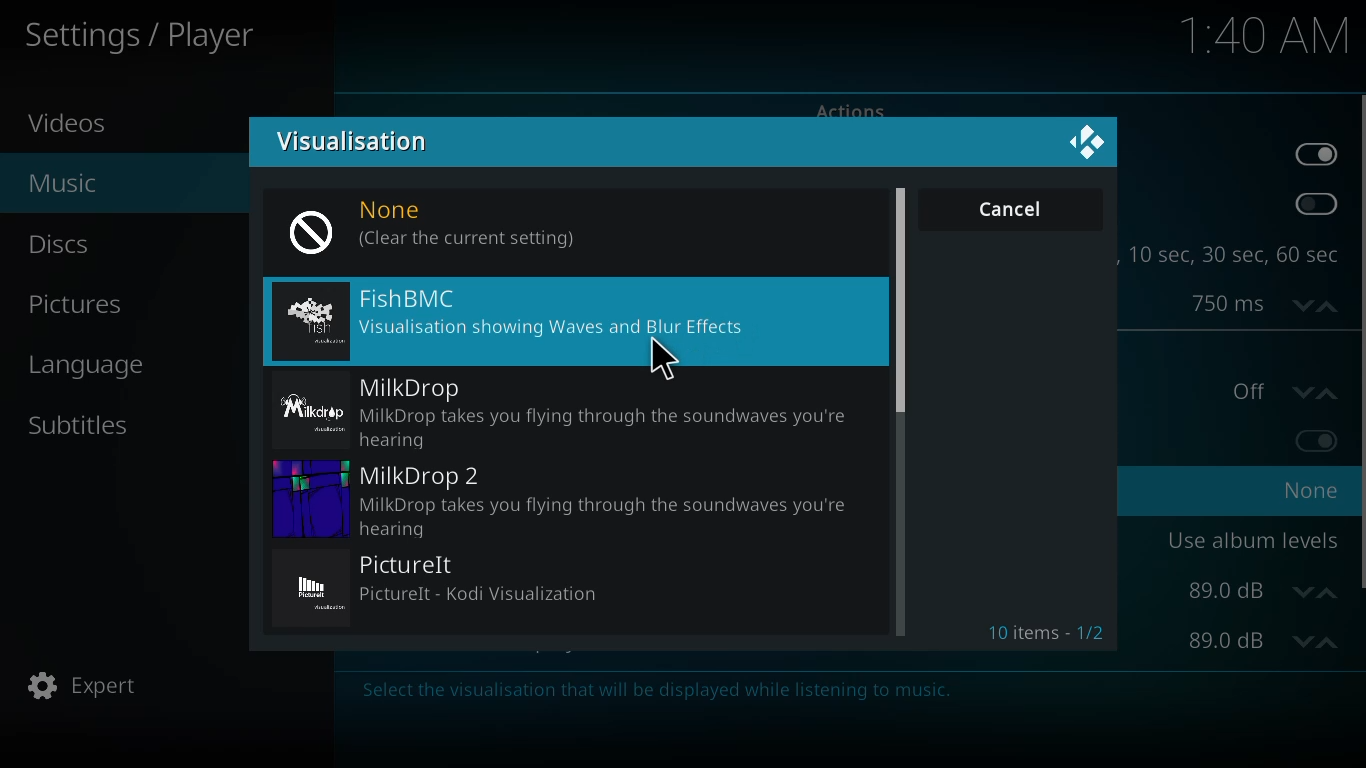 The height and width of the screenshot is (768, 1366). What do you see at coordinates (1263, 641) in the screenshot?
I see `db` at bounding box center [1263, 641].